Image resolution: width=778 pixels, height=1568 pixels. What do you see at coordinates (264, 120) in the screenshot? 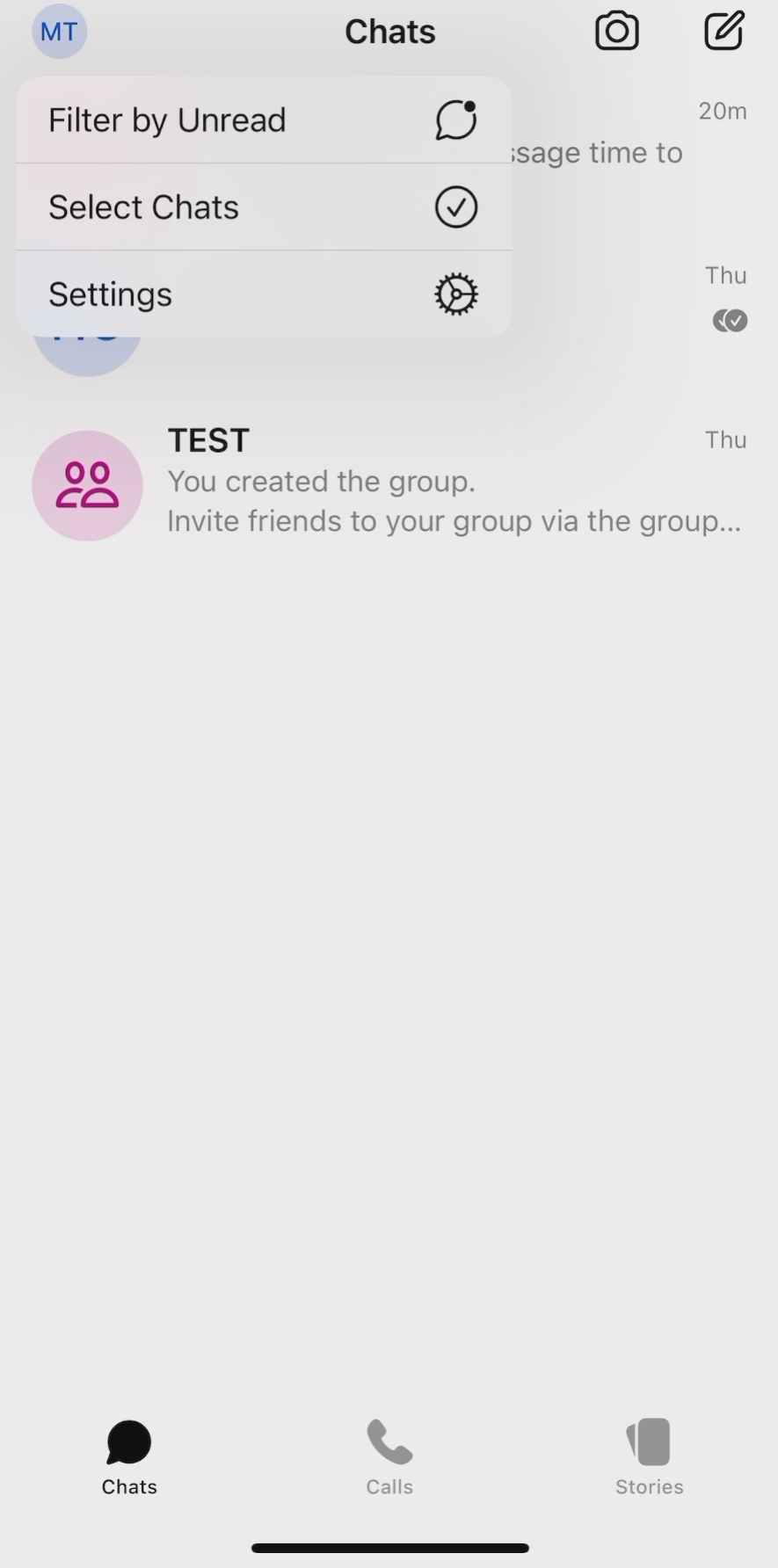
I see `filter by unread` at bounding box center [264, 120].